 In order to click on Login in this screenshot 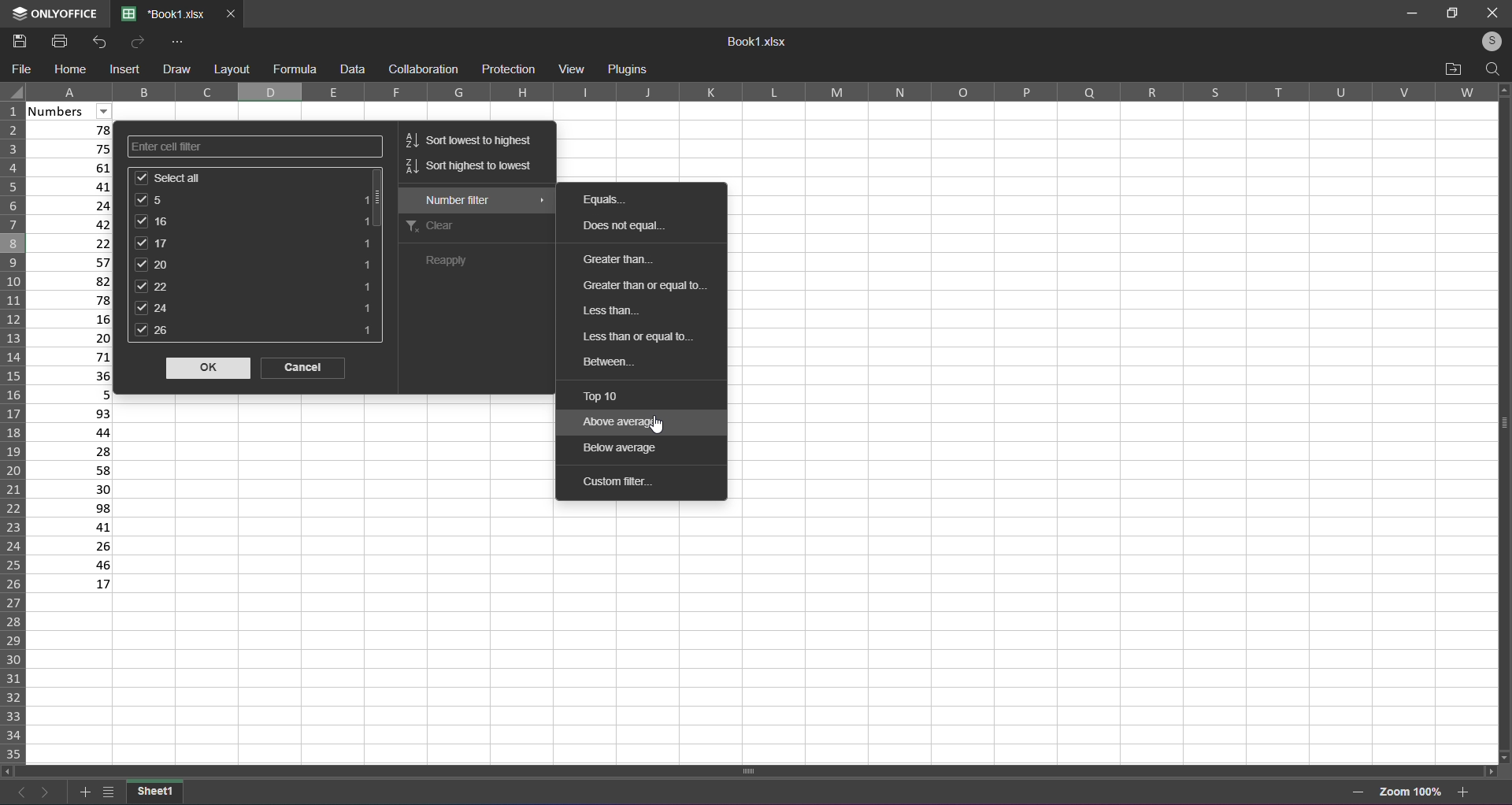, I will do `click(1486, 42)`.